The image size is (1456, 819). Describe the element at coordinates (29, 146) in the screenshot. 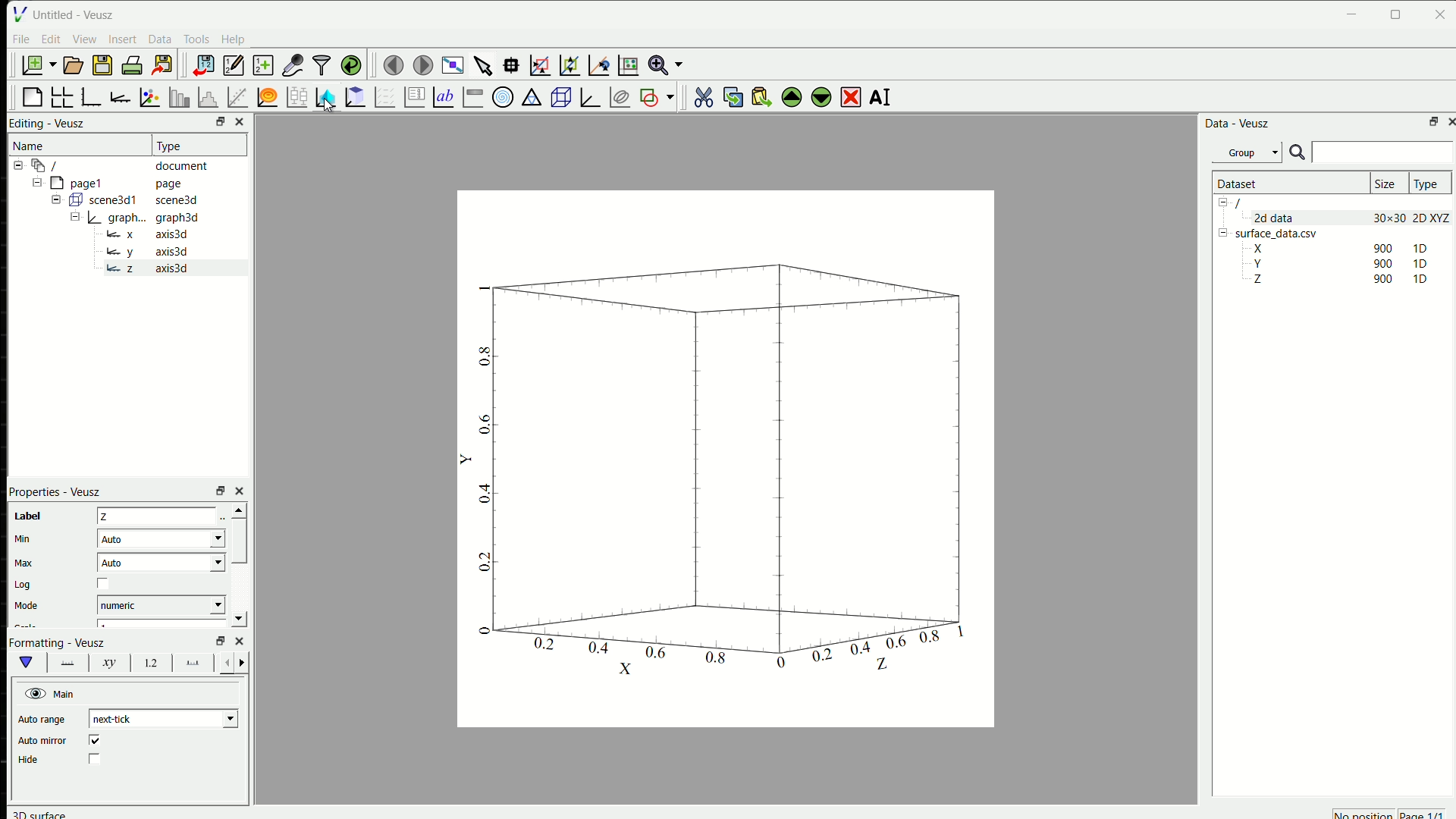

I see `Name` at that location.